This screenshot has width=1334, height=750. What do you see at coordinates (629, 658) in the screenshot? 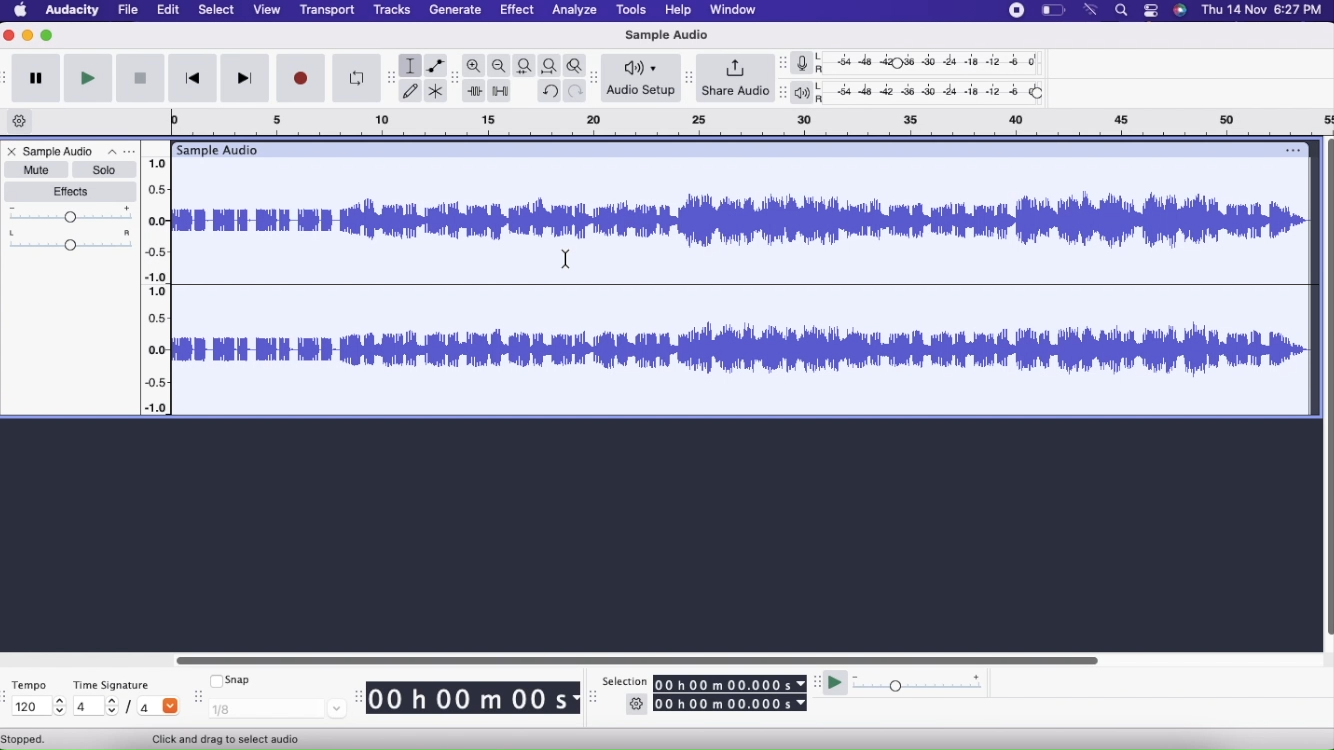
I see `Slider` at bounding box center [629, 658].